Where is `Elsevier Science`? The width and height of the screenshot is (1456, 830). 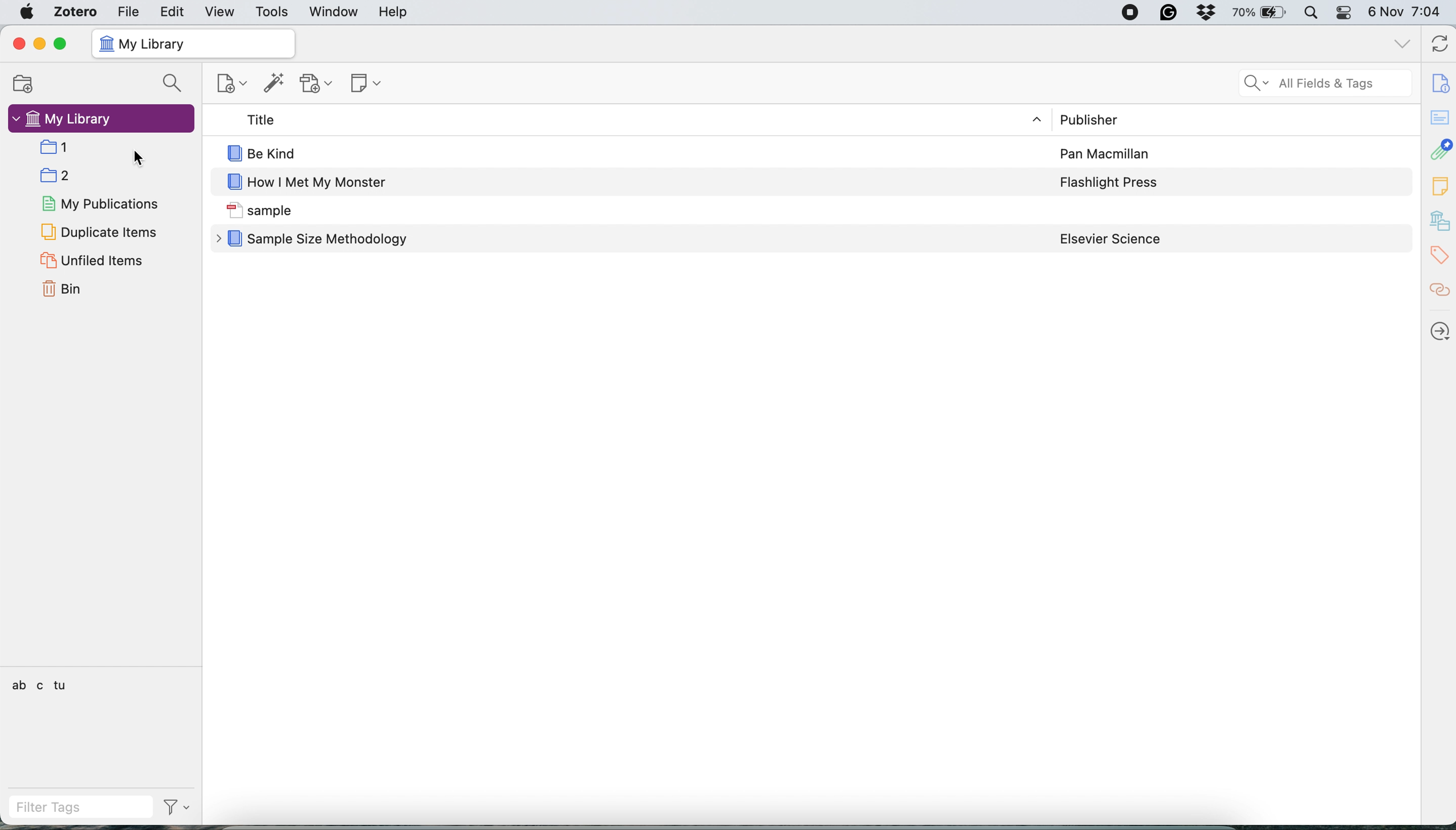
Elsevier Science is located at coordinates (1111, 239).